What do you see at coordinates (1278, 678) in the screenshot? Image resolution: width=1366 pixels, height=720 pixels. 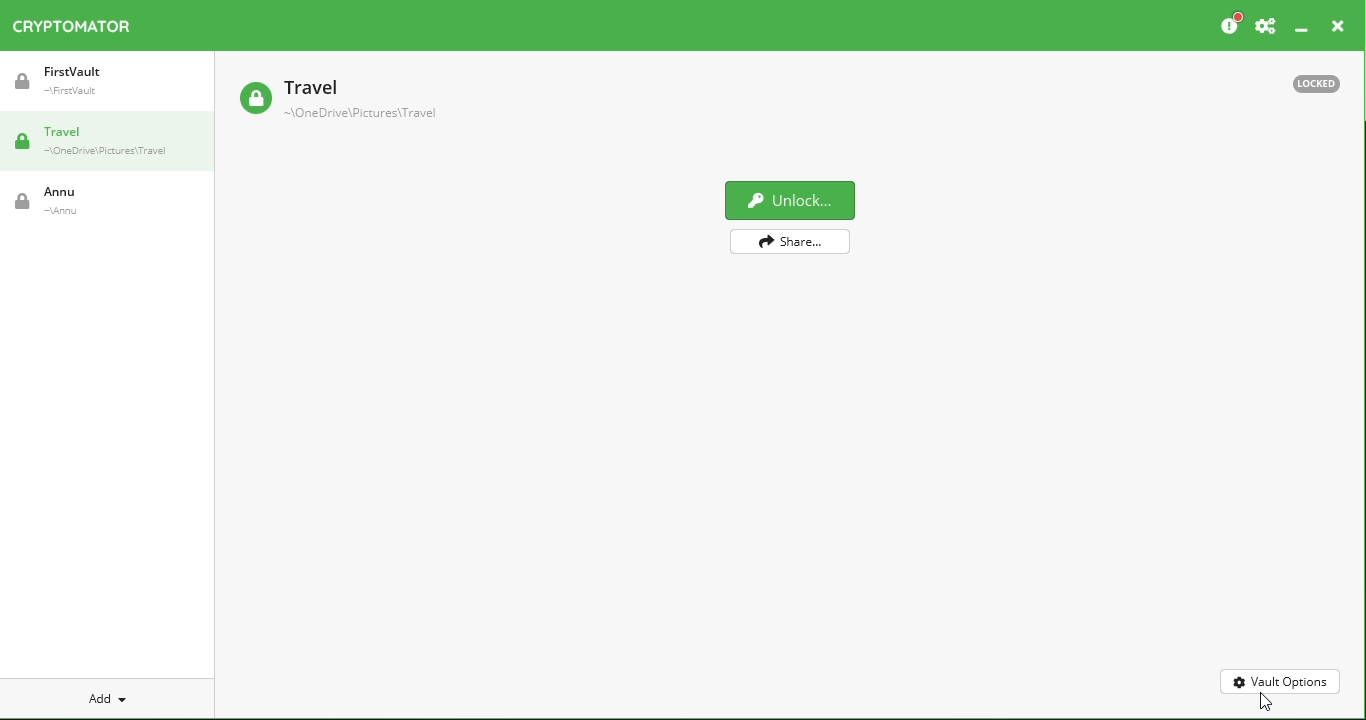 I see `Vault options` at bounding box center [1278, 678].